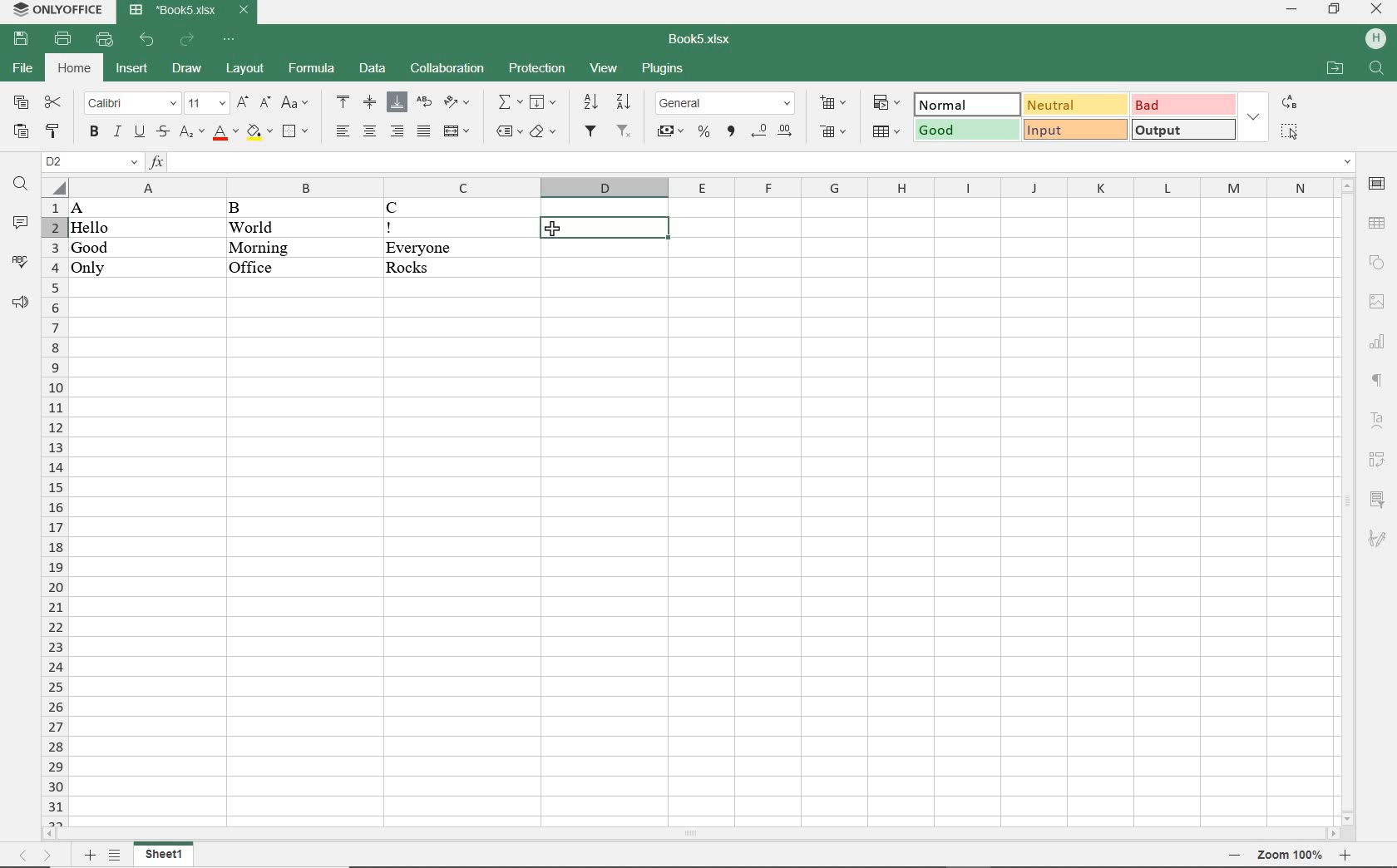 Image resolution: width=1397 pixels, height=868 pixels. What do you see at coordinates (1377, 419) in the screenshot?
I see `text art` at bounding box center [1377, 419].